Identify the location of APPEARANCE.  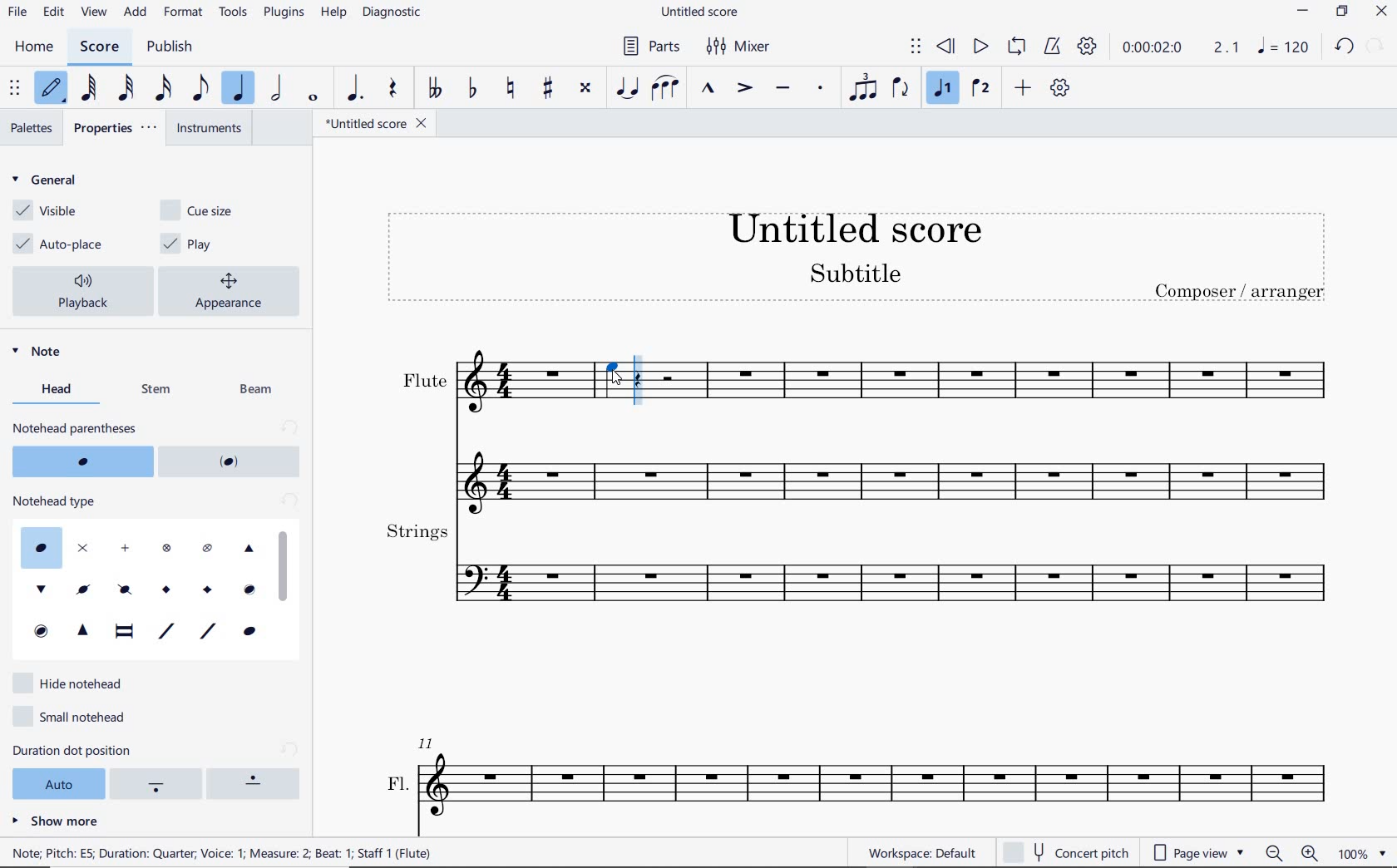
(234, 289).